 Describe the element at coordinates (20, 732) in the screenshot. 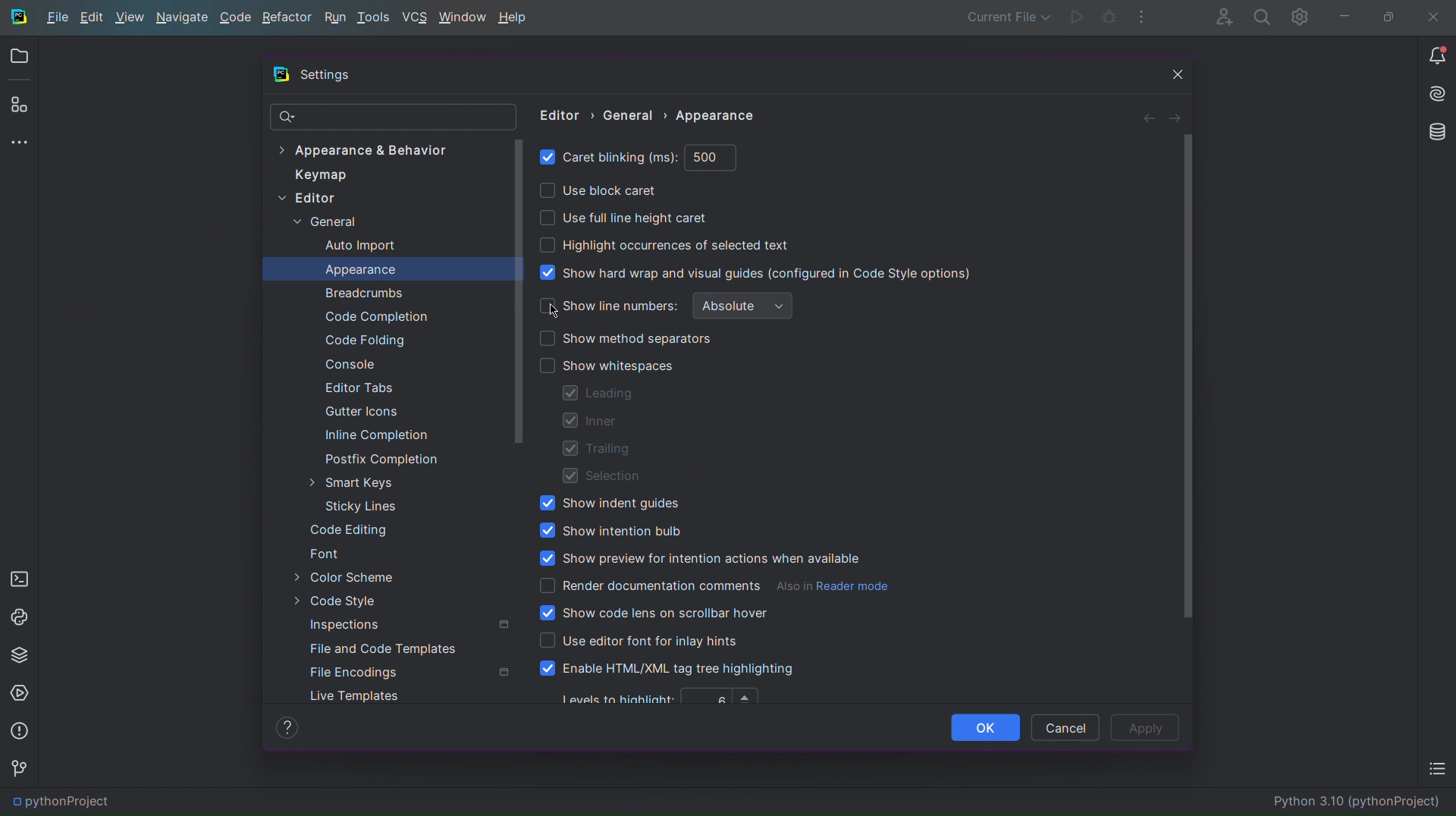

I see `Problems` at that location.